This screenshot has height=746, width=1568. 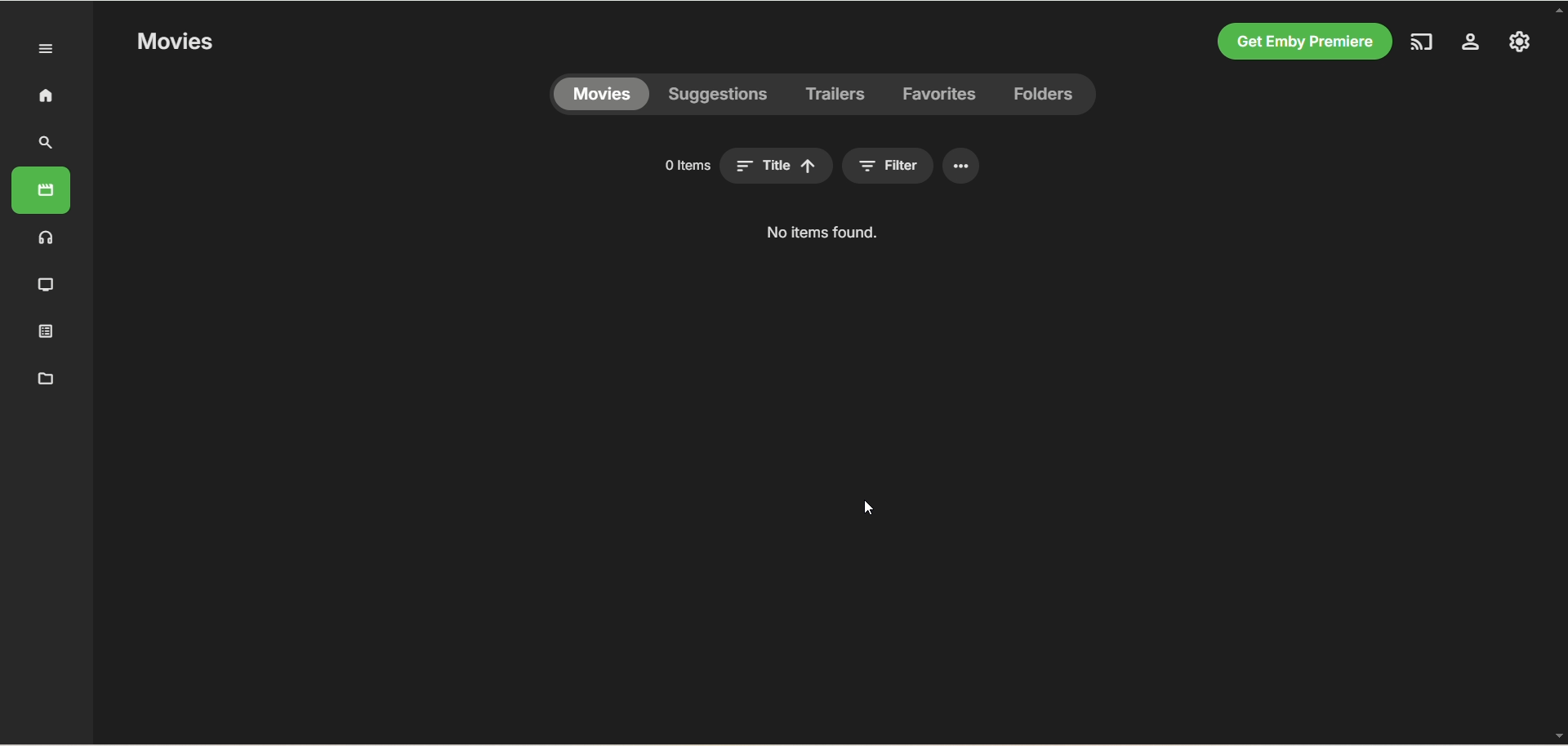 What do you see at coordinates (47, 143) in the screenshot?
I see `search` at bounding box center [47, 143].